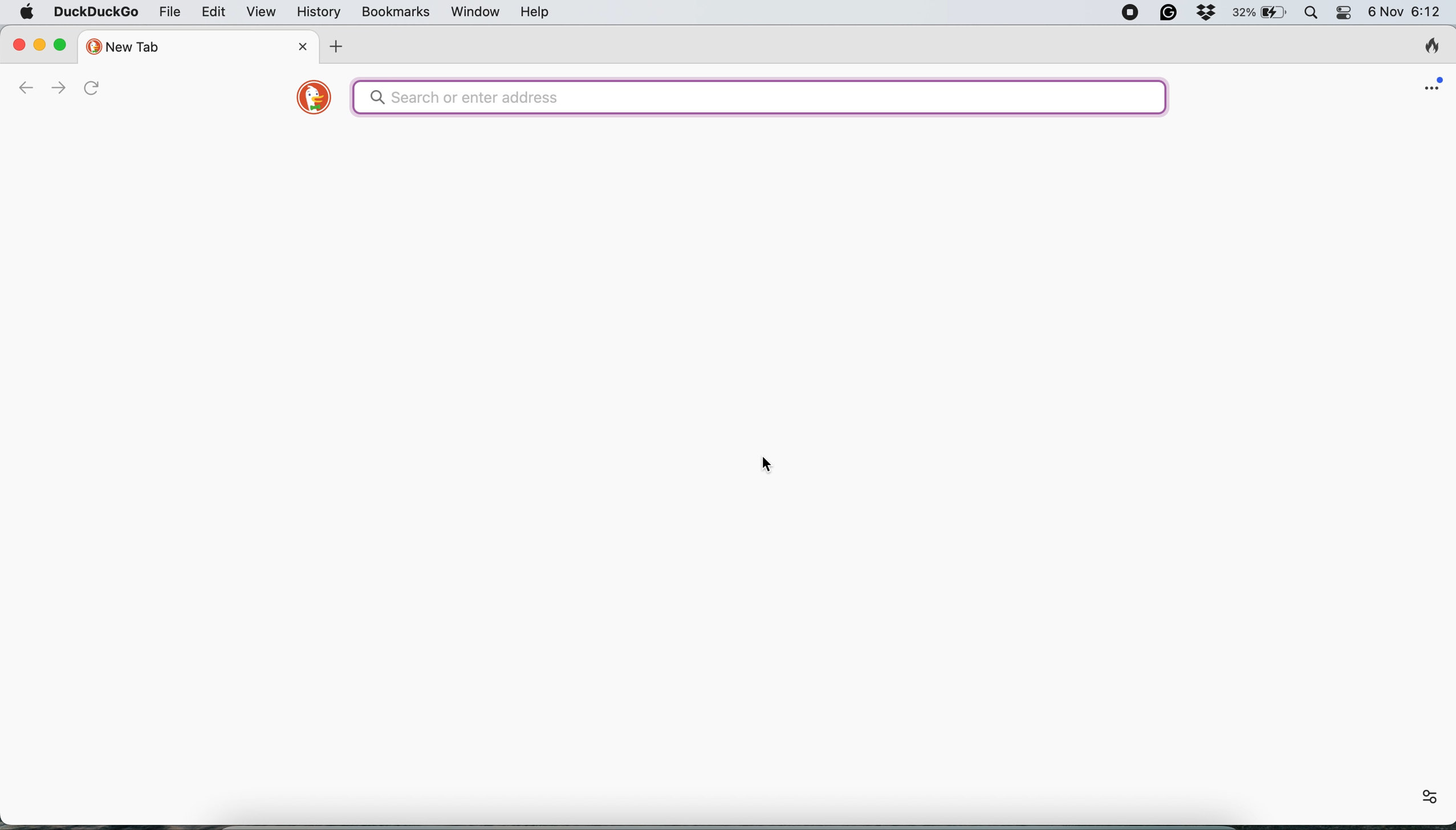 The width and height of the screenshot is (1456, 830). What do you see at coordinates (1167, 13) in the screenshot?
I see `grammarly` at bounding box center [1167, 13].